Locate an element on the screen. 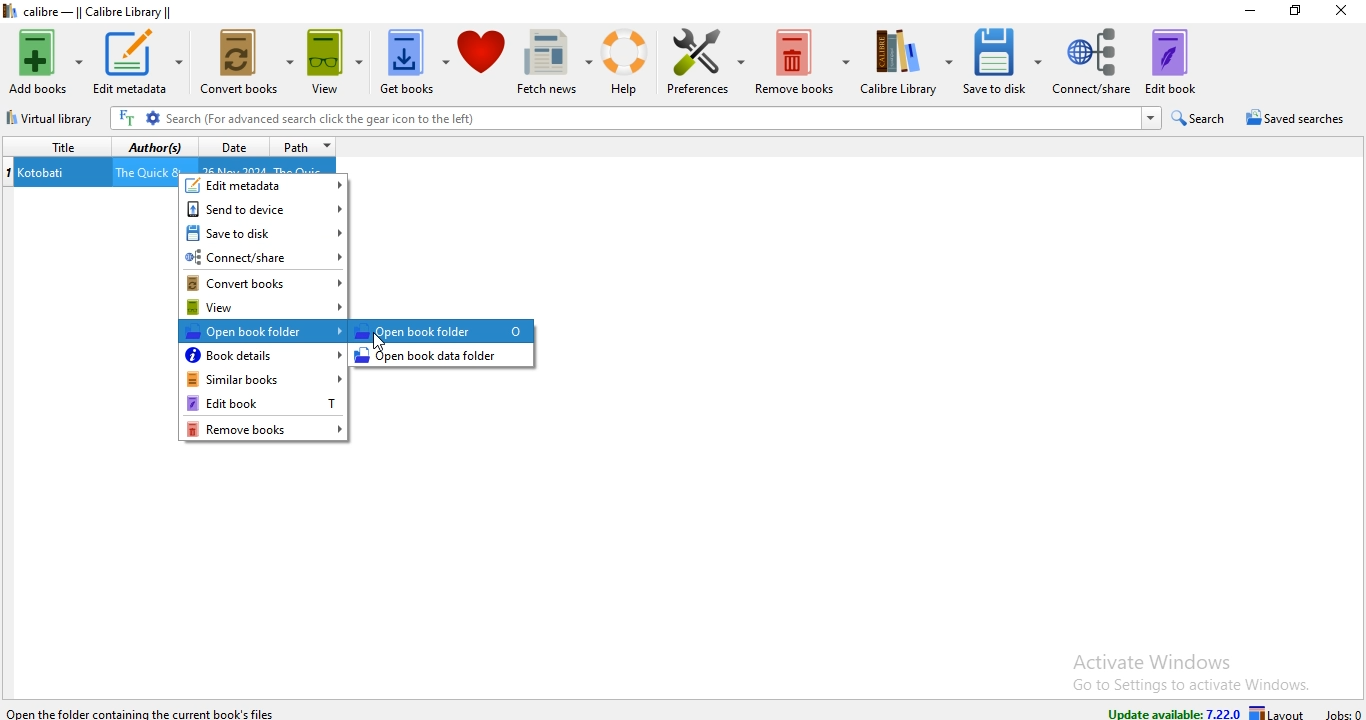  layout is located at coordinates (1281, 712).